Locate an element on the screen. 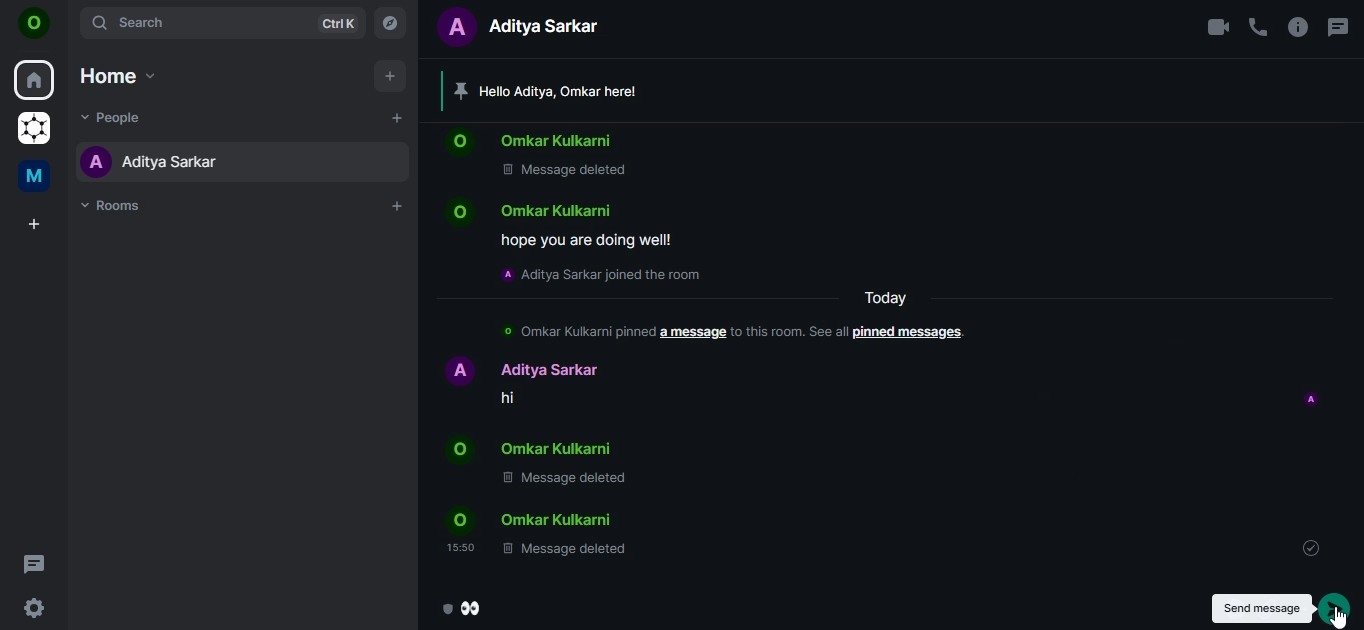 This screenshot has width=1364, height=630. text is located at coordinates (528, 29).